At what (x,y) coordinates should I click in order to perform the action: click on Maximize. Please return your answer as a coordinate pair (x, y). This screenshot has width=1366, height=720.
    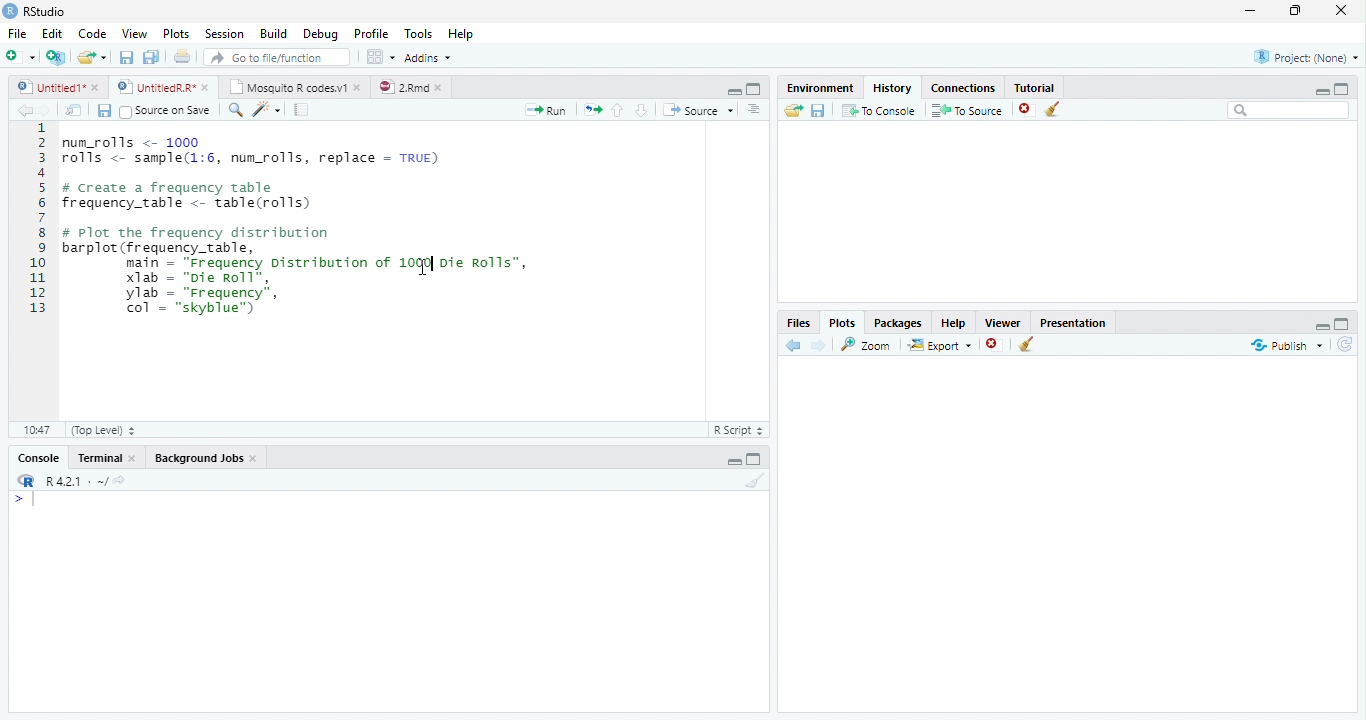
    Looking at the image, I should click on (1296, 11).